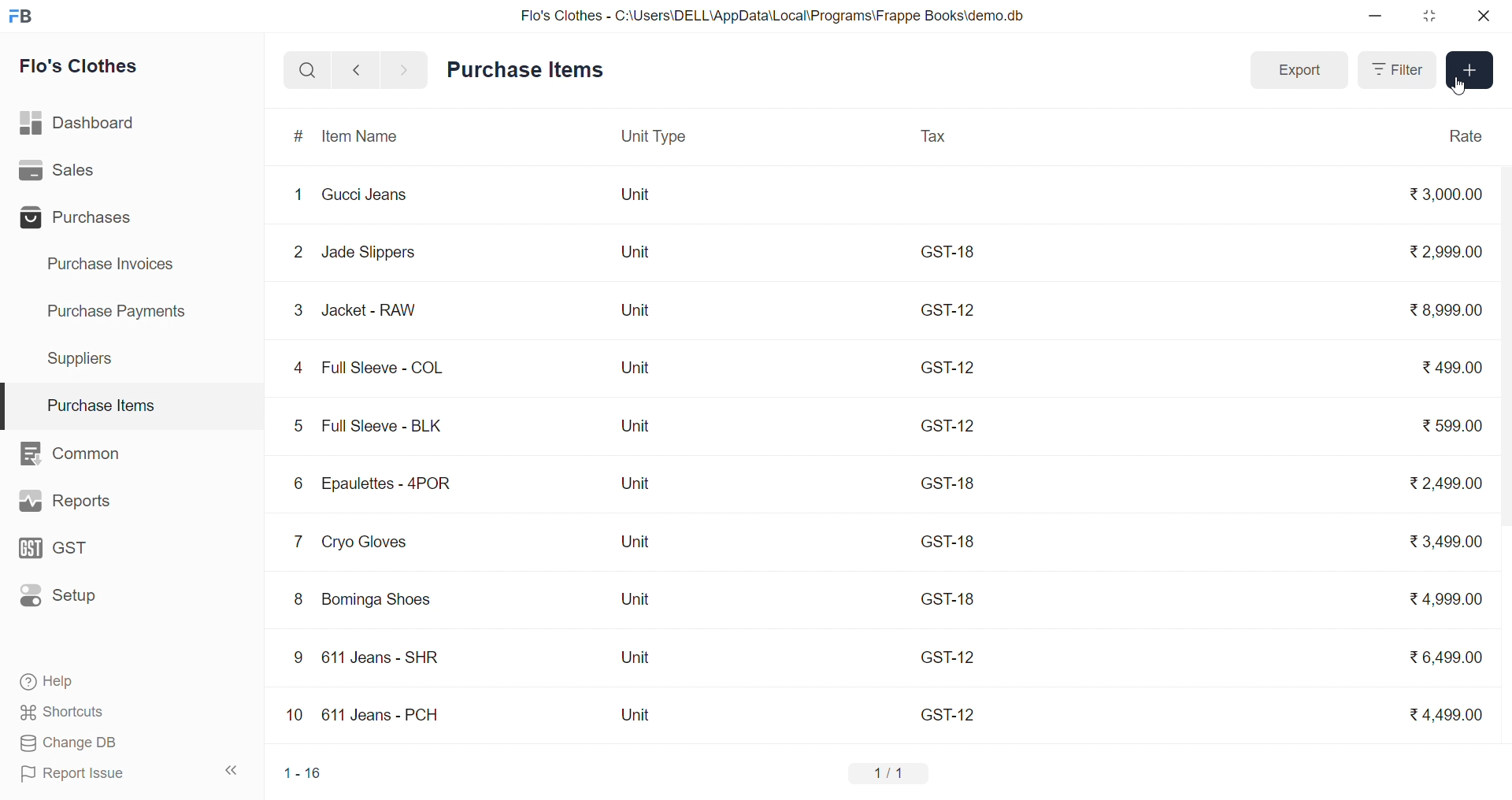 The image size is (1512, 800). What do you see at coordinates (1296, 72) in the screenshot?
I see `Export` at bounding box center [1296, 72].